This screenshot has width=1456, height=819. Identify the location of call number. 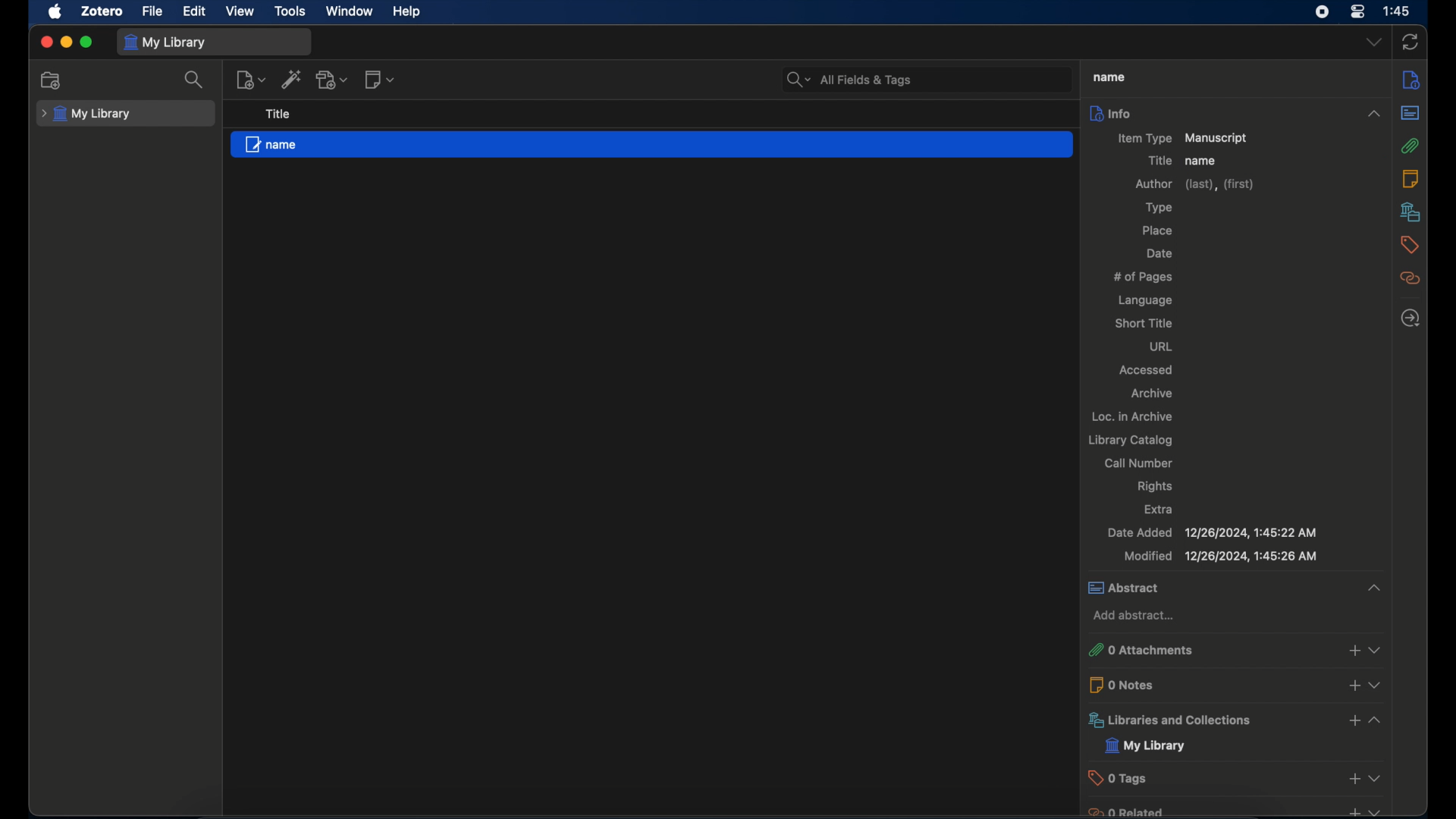
(1139, 463).